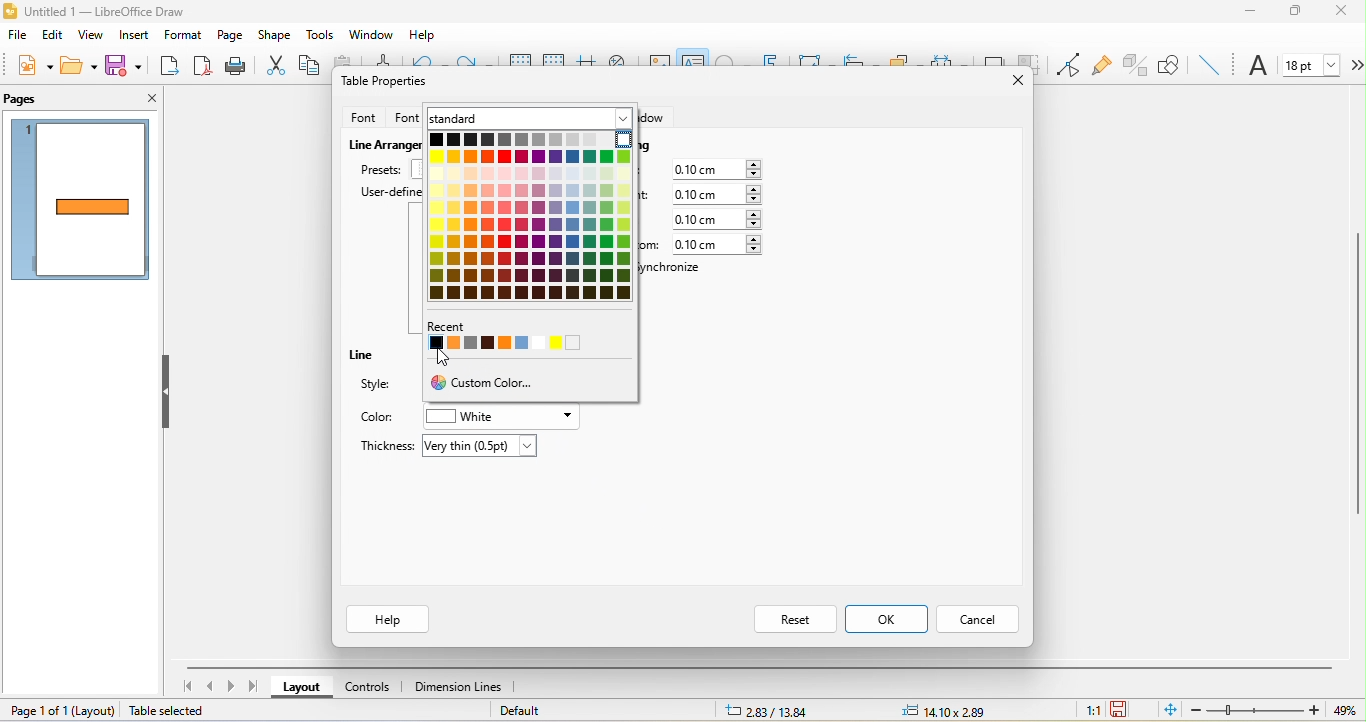 Image resolution: width=1366 pixels, height=722 pixels. Describe the element at coordinates (83, 202) in the screenshot. I see `page1` at that location.